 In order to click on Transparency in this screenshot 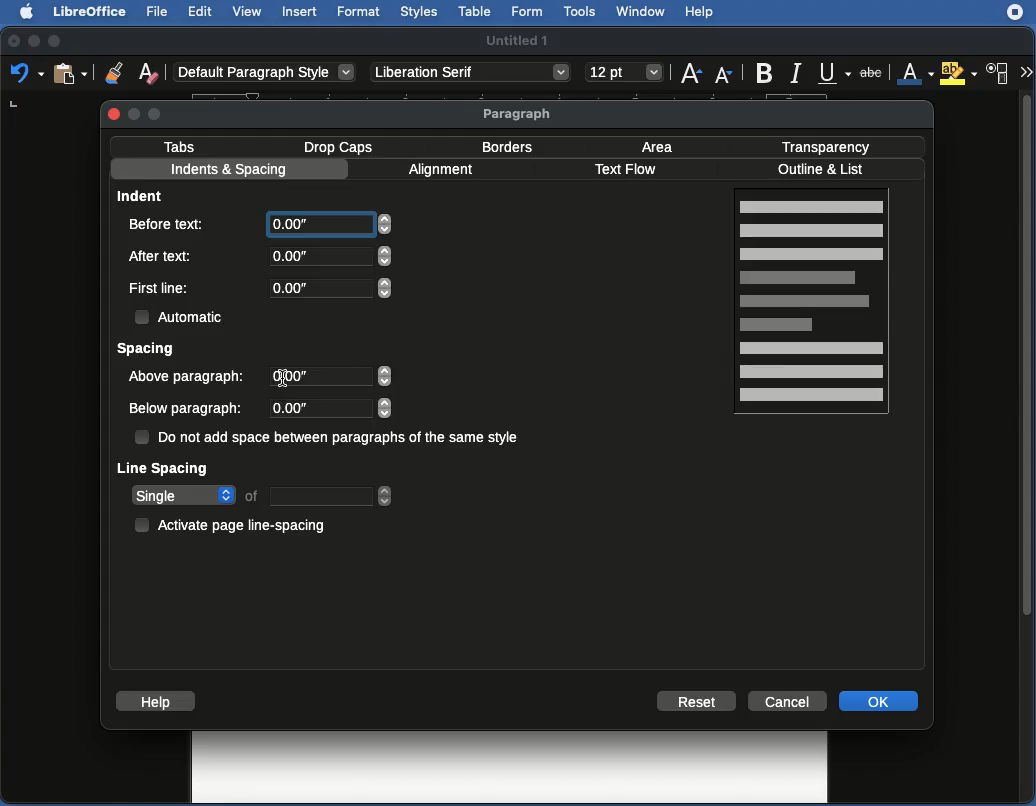, I will do `click(826, 145)`.